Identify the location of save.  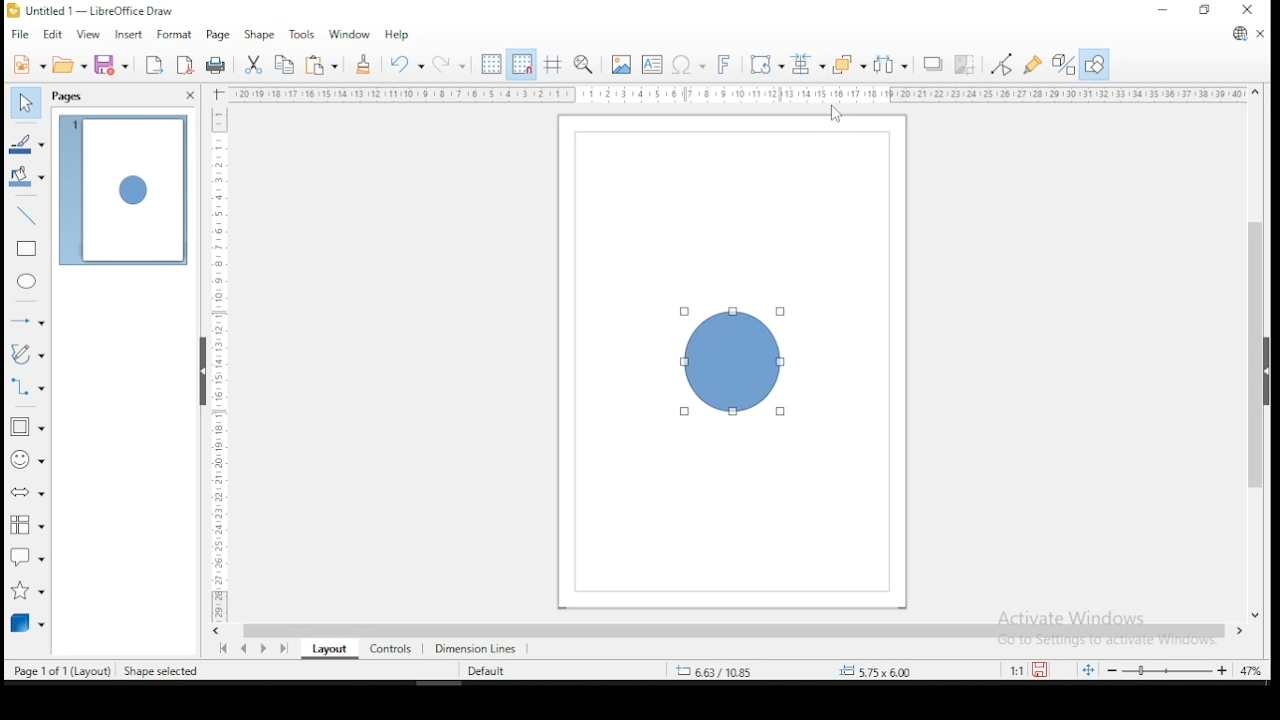
(111, 64).